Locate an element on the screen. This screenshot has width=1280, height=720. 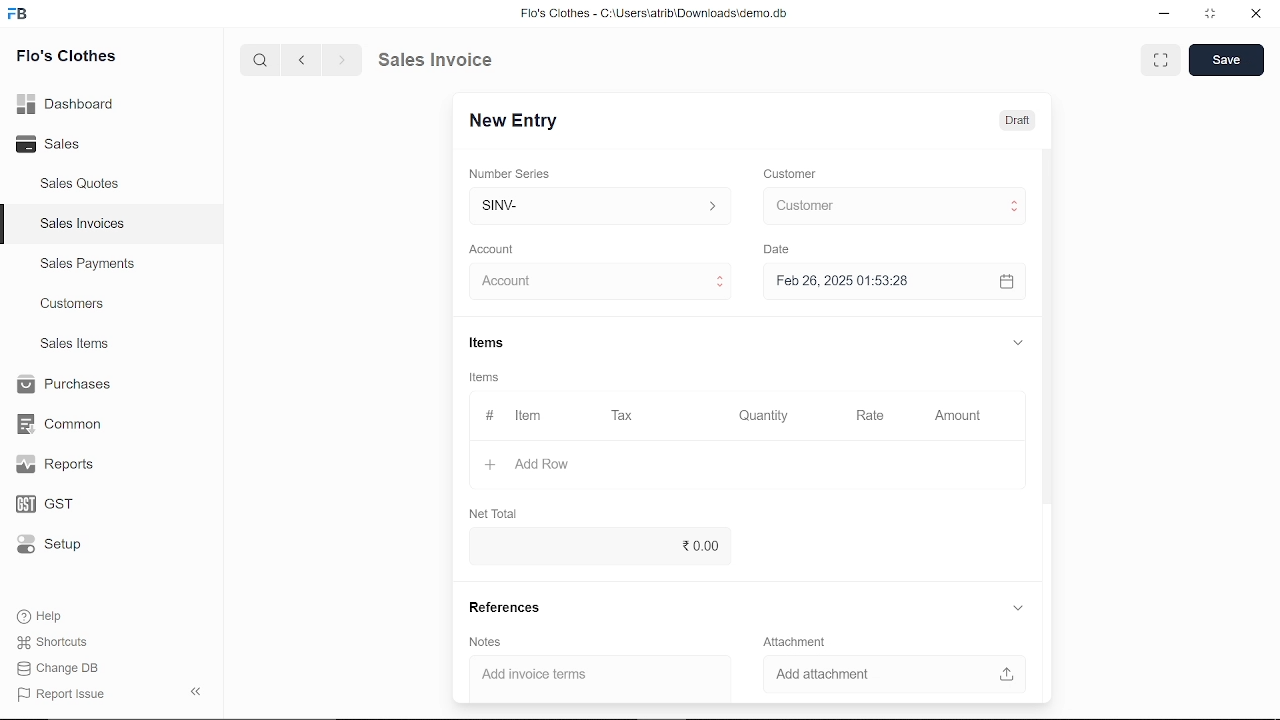
Sales Payments. is located at coordinates (86, 264).